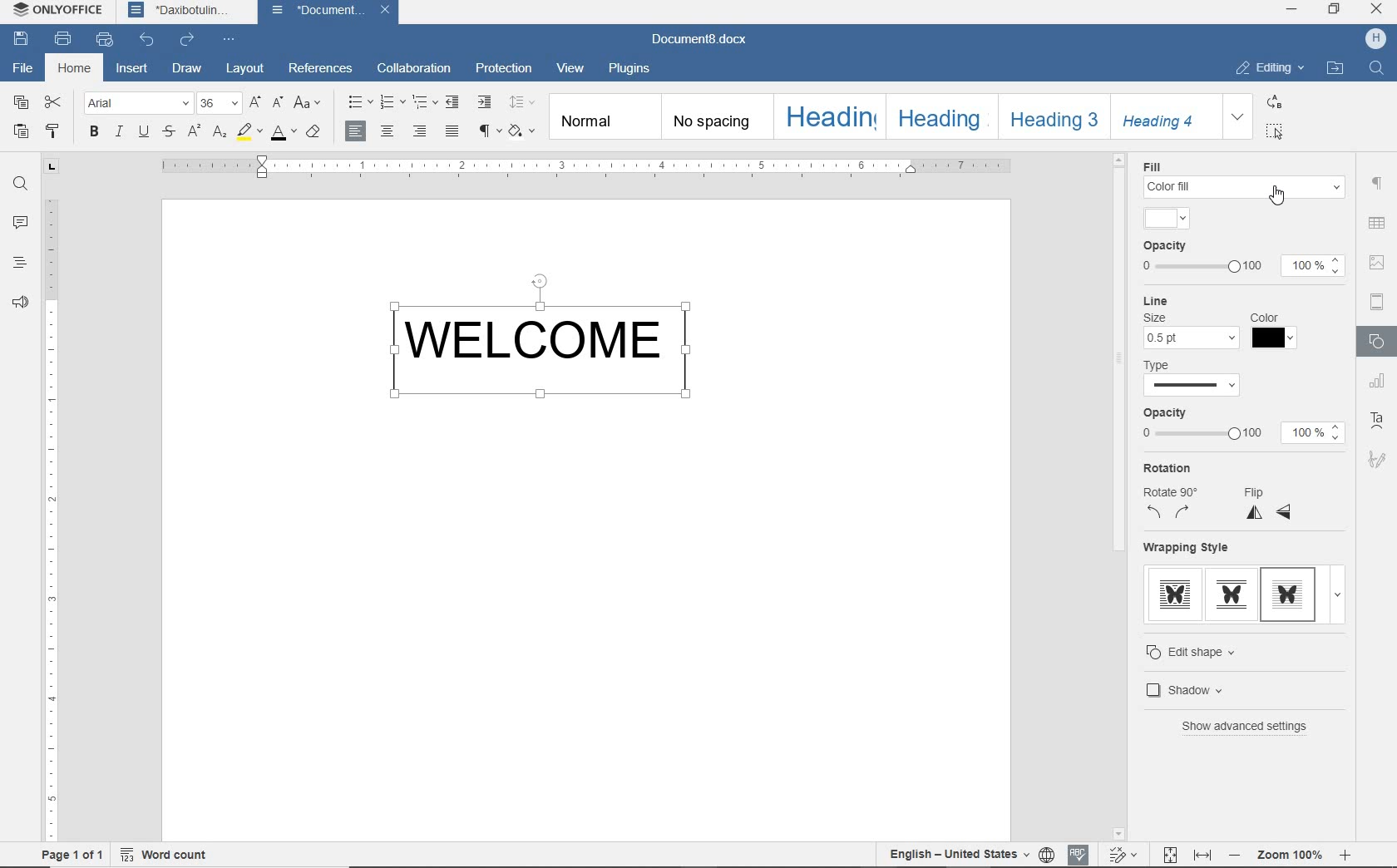 The height and width of the screenshot is (868, 1397). What do you see at coordinates (55, 130) in the screenshot?
I see `COPY STYLE` at bounding box center [55, 130].